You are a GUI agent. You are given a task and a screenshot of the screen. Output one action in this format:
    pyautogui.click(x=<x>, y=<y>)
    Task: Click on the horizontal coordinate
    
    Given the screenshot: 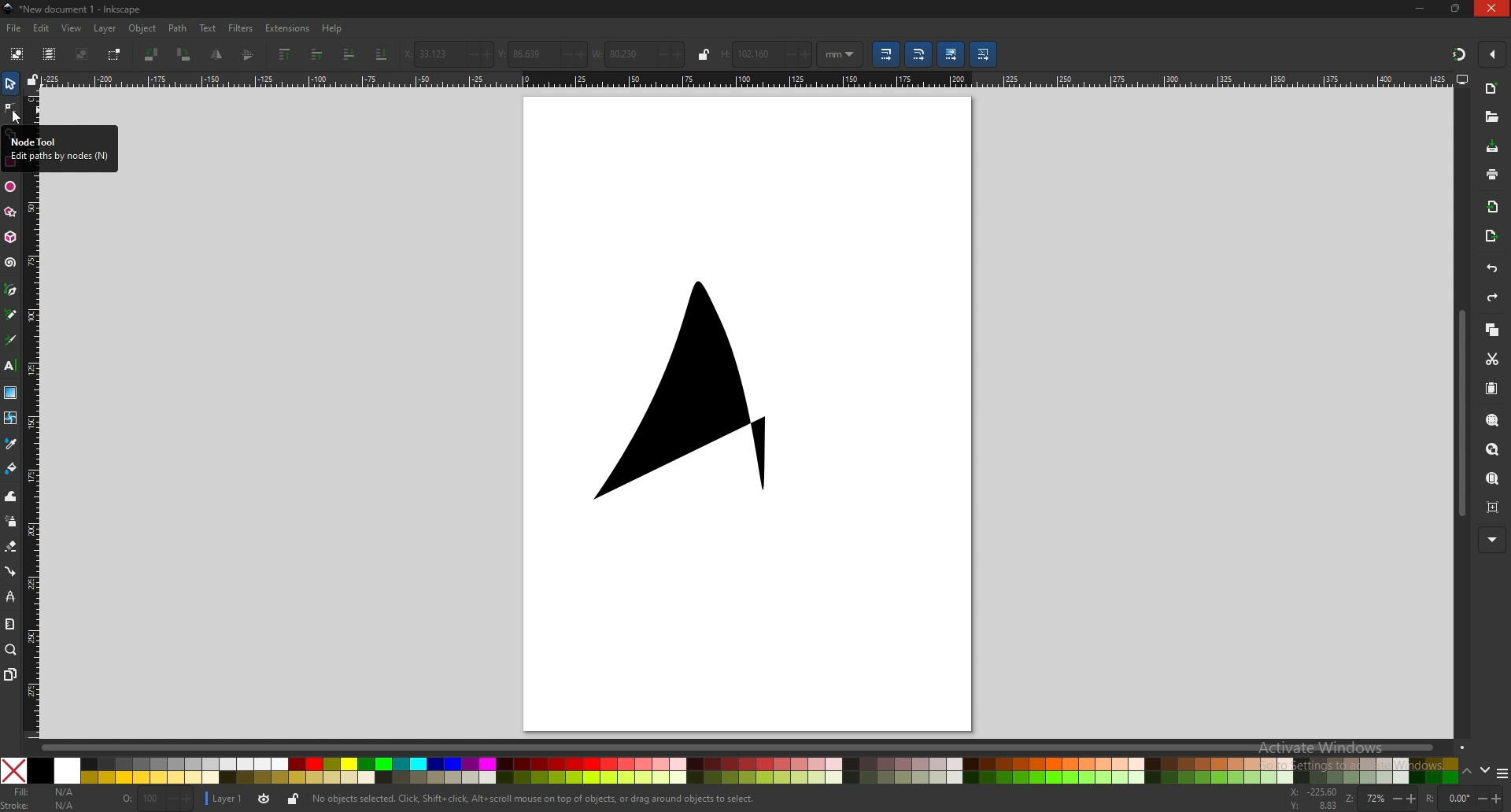 What is the action you would take?
    pyautogui.click(x=447, y=54)
    